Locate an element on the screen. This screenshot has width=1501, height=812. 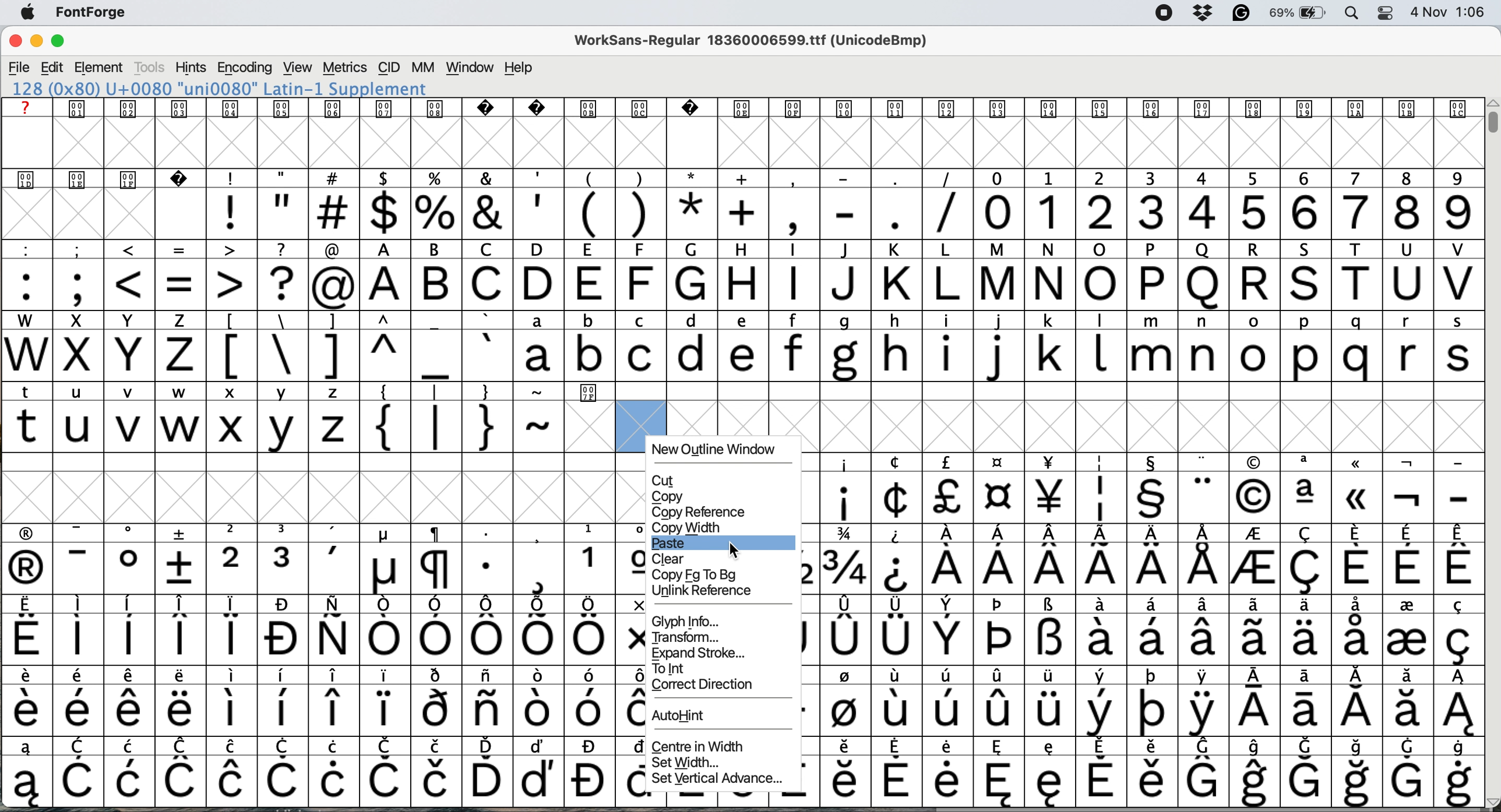
edit is located at coordinates (54, 67).